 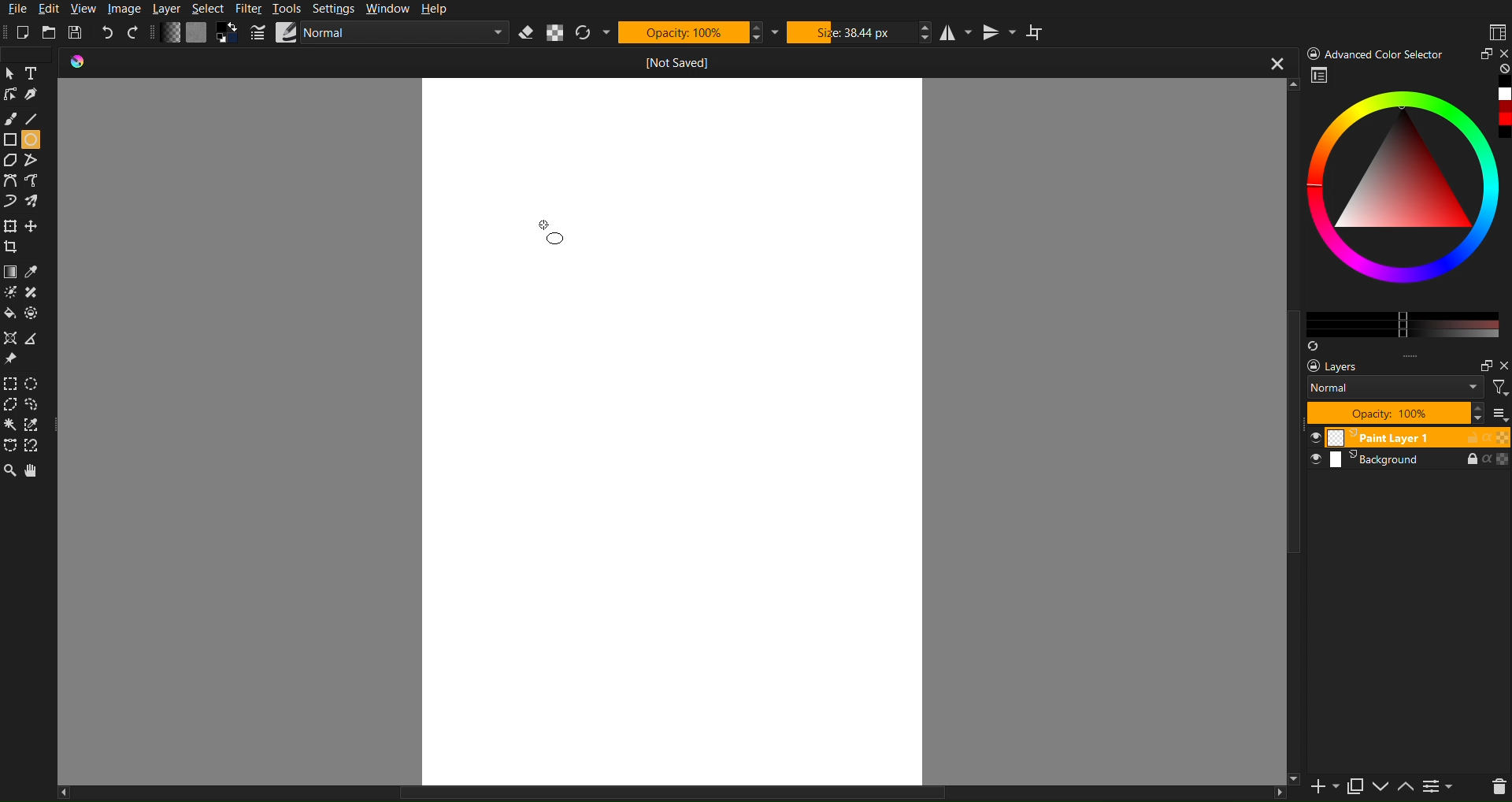 I want to click on horizontal scrollbar, so click(x=673, y=790).